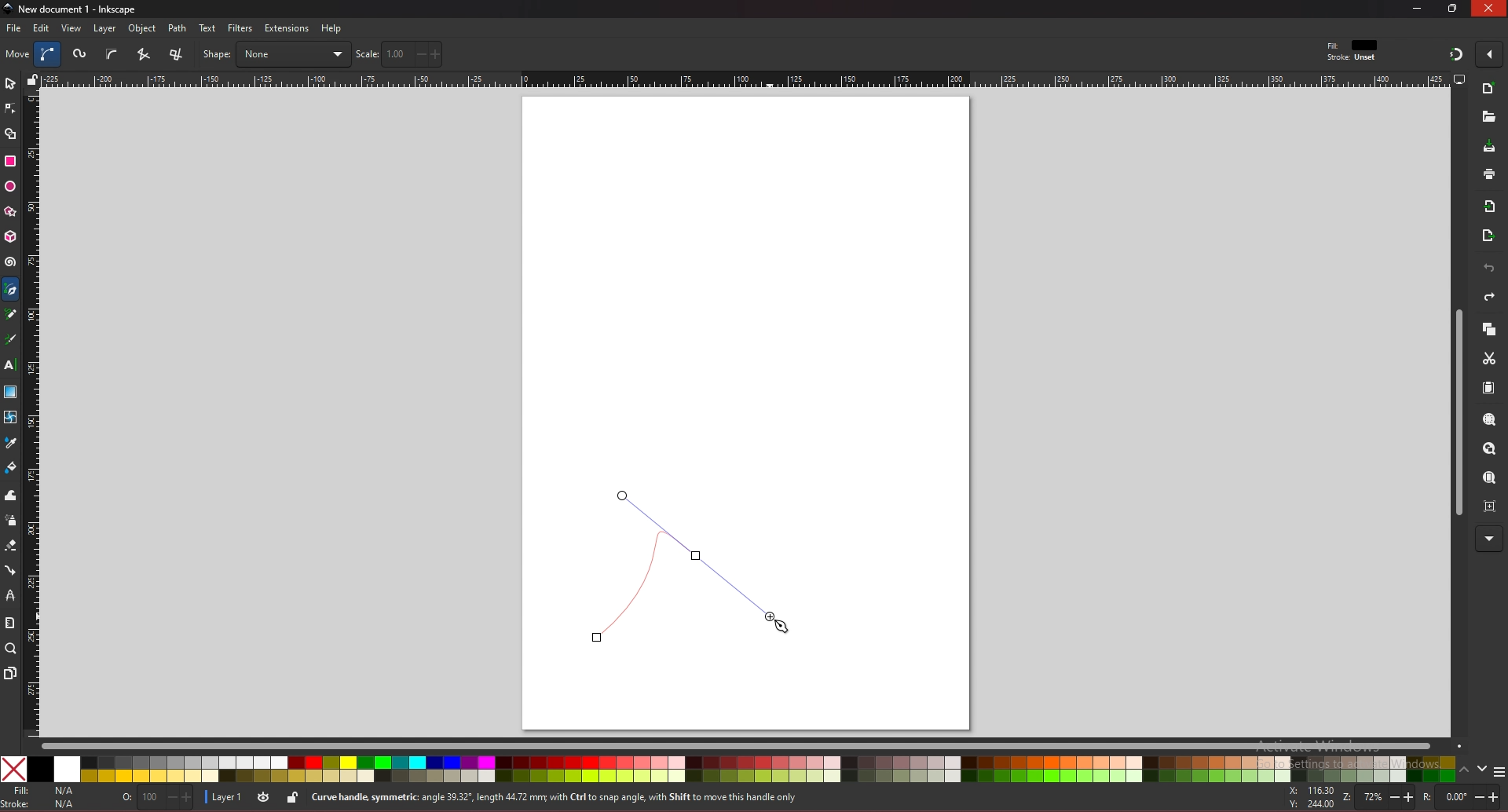  I want to click on text, so click(207, 28).